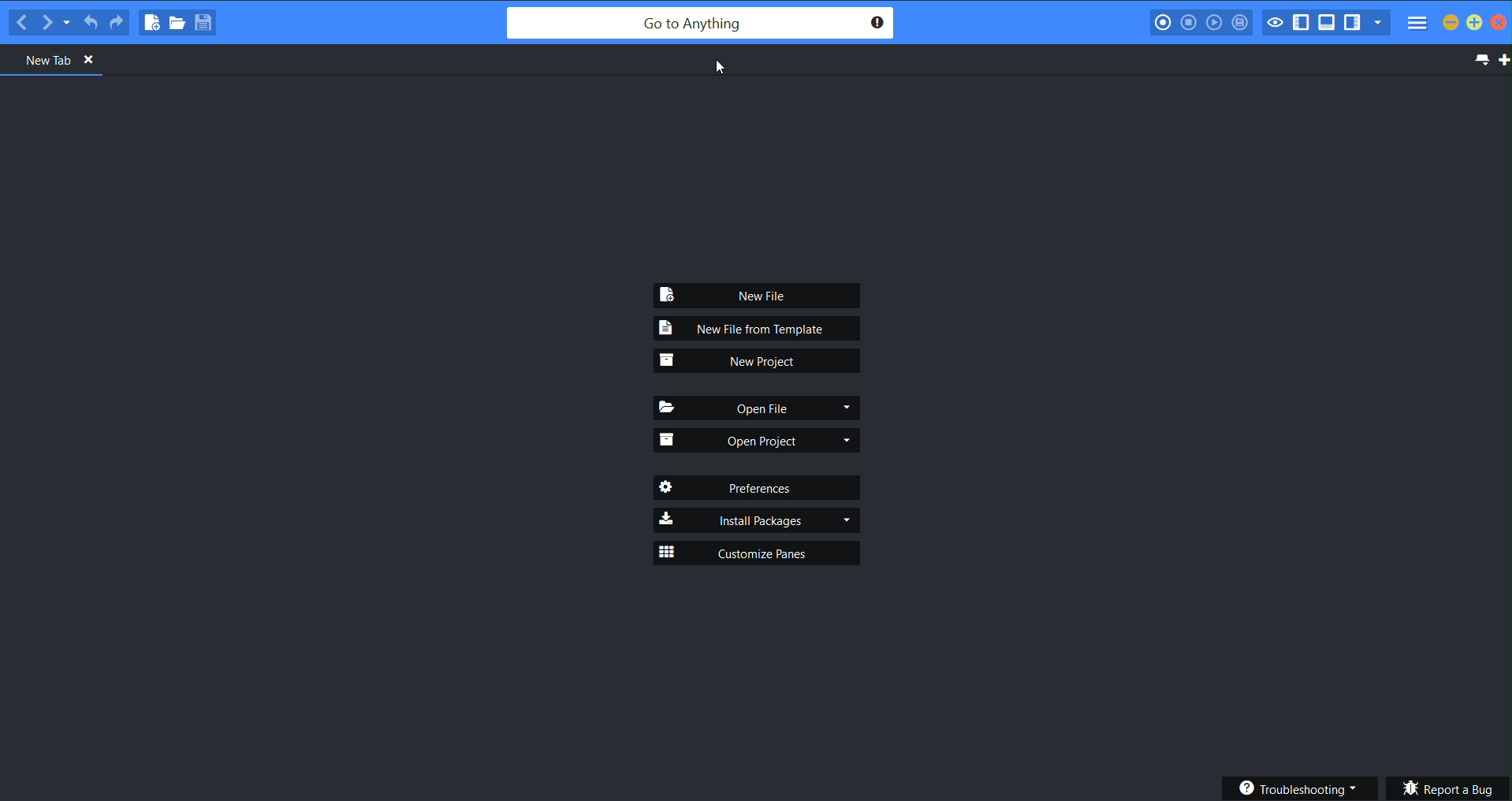  What do you see at coordinates (1190, 22) in the screenshot?
I see `stop last macro` at bounding box center [1190, 22].